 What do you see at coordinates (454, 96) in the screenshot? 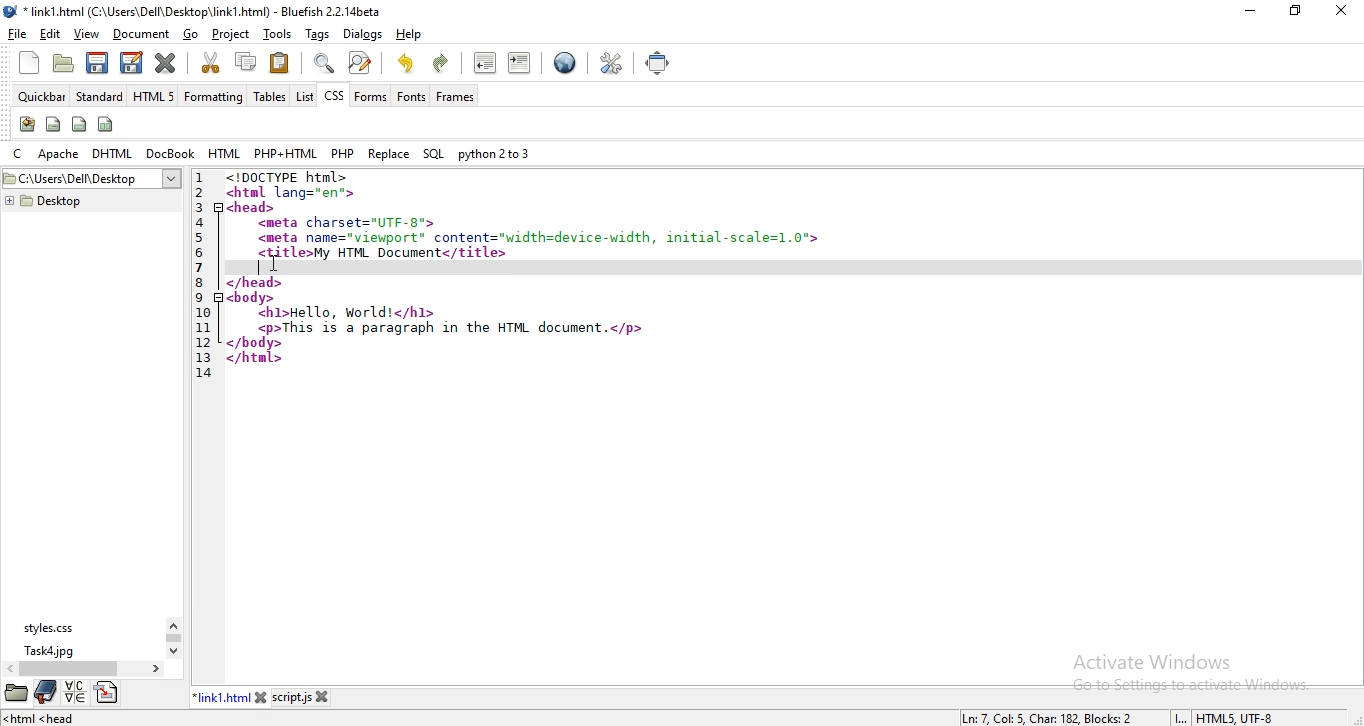
I see `frames` at bounding box center [454, 96].